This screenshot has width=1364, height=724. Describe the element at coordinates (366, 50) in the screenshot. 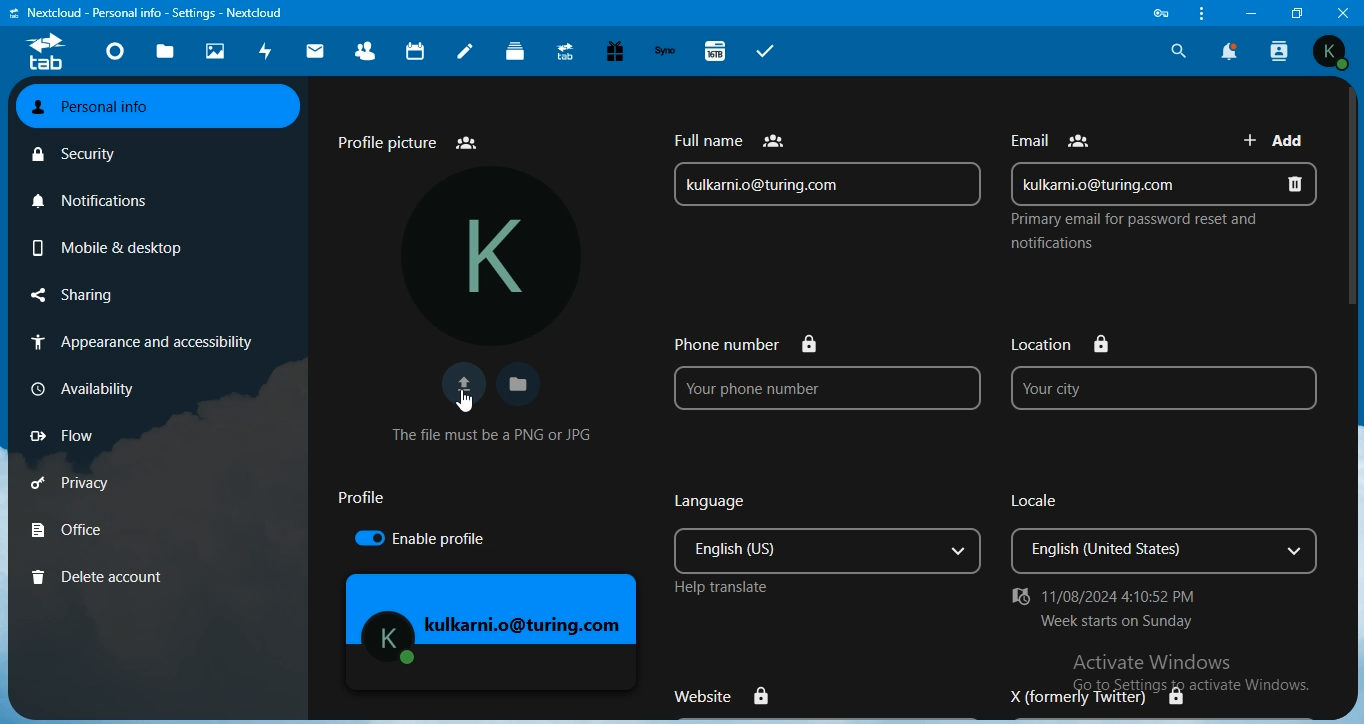

I see `contact` at that location.